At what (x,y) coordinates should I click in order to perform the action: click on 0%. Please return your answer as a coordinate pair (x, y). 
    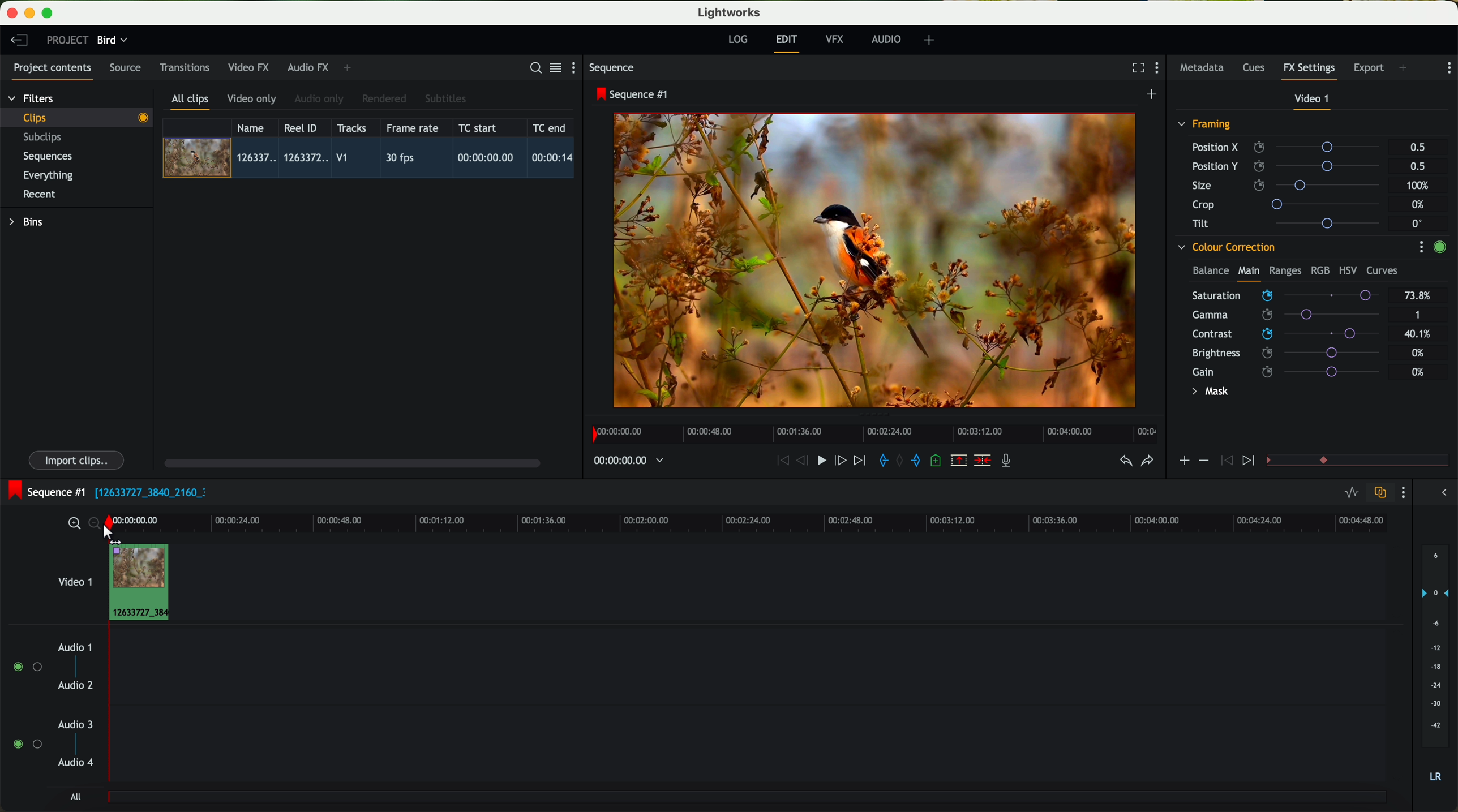
    Looking at the image, I should click on (1418, 351).